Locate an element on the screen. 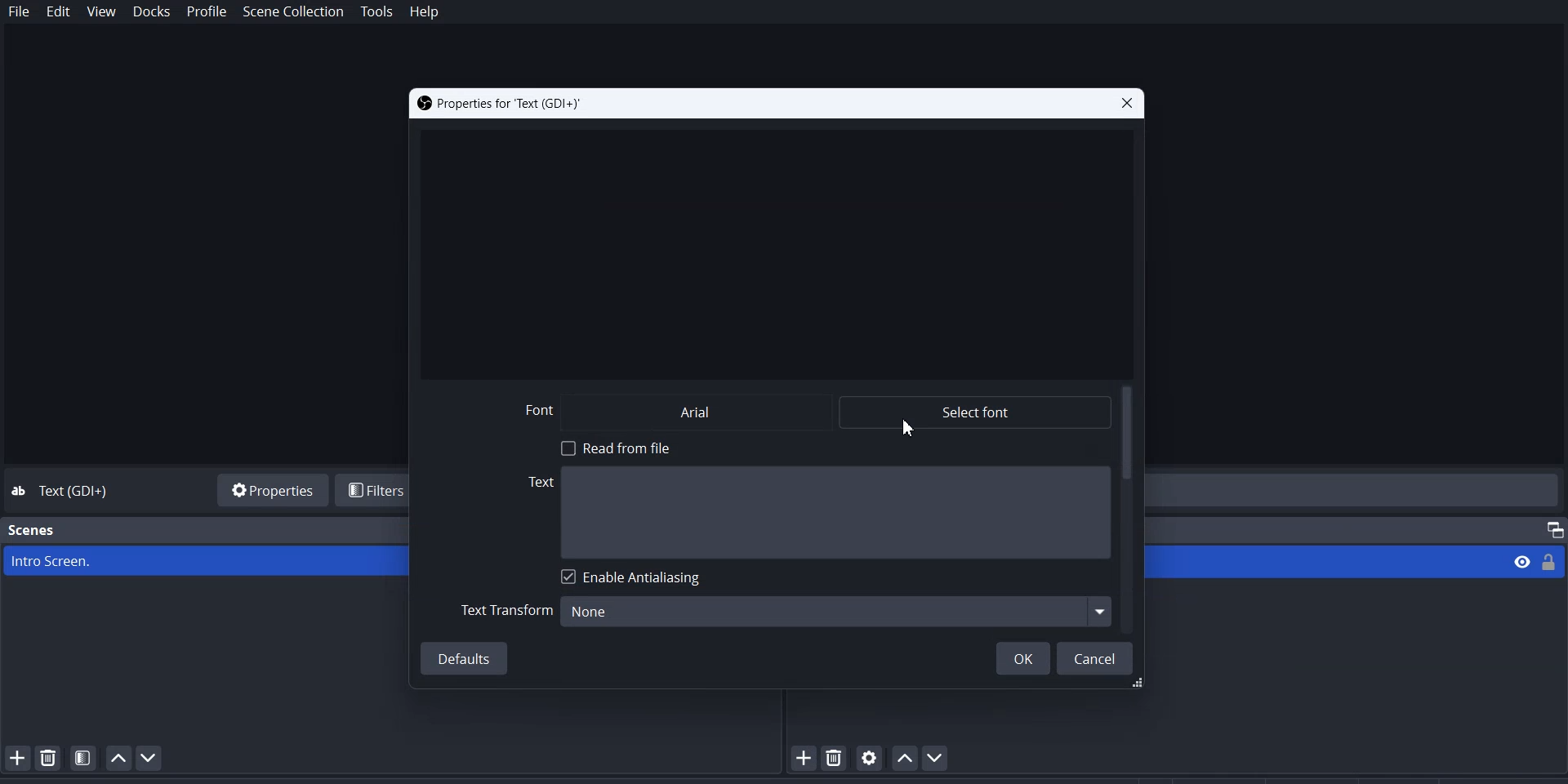 The height and width of the screenshot is (784, 1568). open source properties is located at coordinates (870, 757).